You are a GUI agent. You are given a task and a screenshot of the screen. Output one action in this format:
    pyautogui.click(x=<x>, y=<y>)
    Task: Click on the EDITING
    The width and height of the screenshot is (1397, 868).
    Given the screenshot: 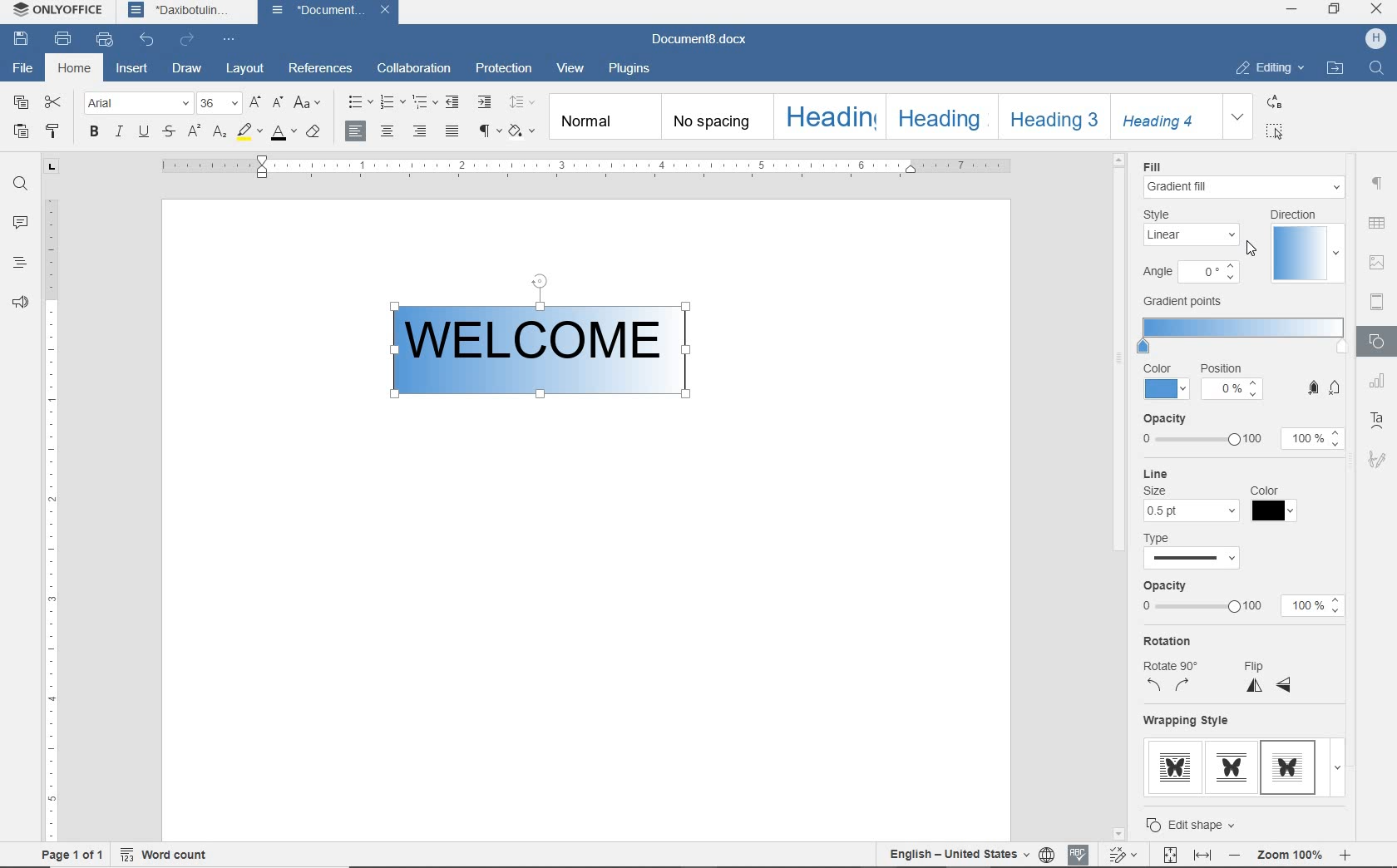 What is the action you would take?
    pyautogui.click(x=1266, y=68)
    